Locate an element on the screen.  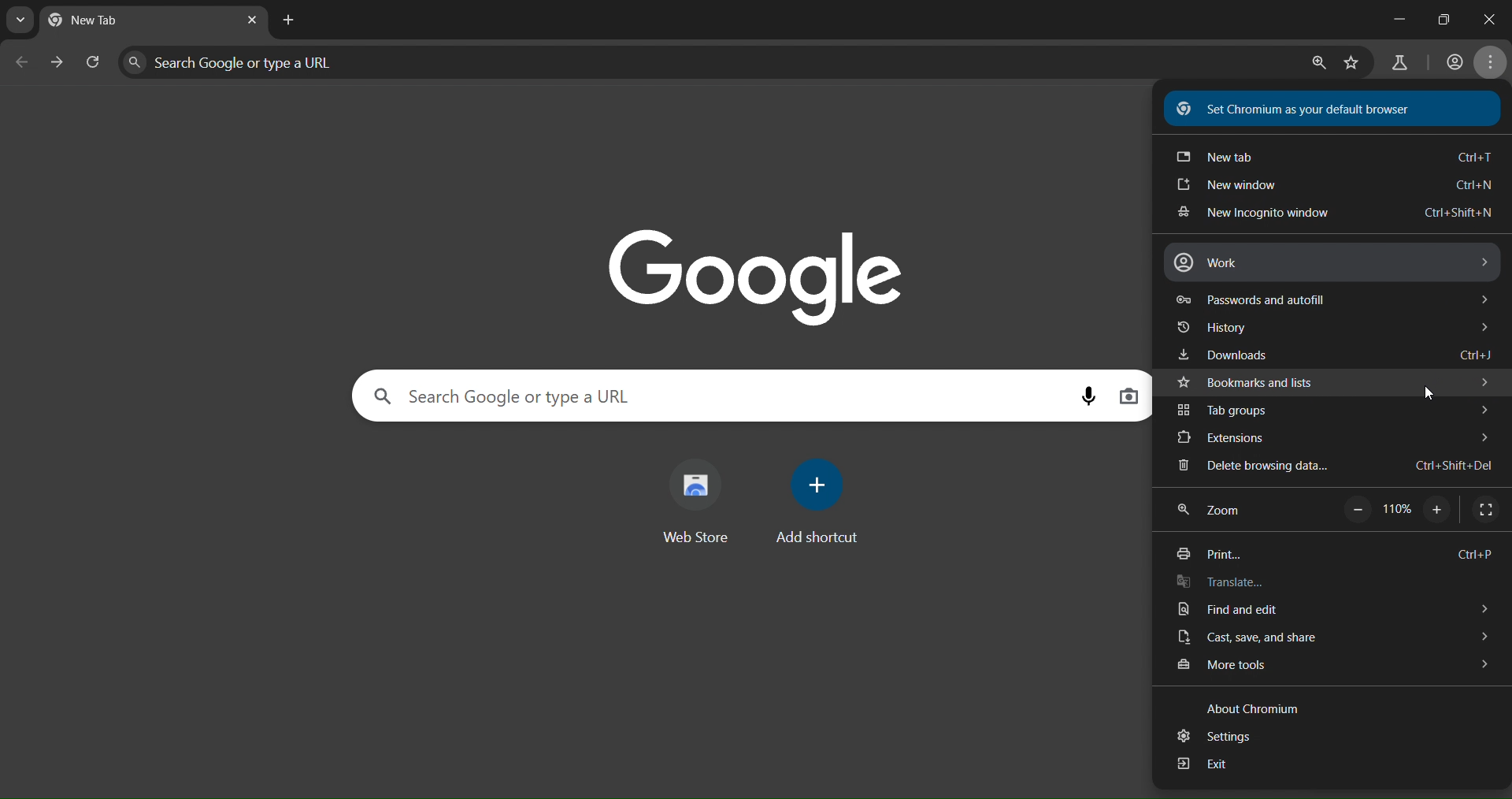
history is located at coordinates (1341, 329).